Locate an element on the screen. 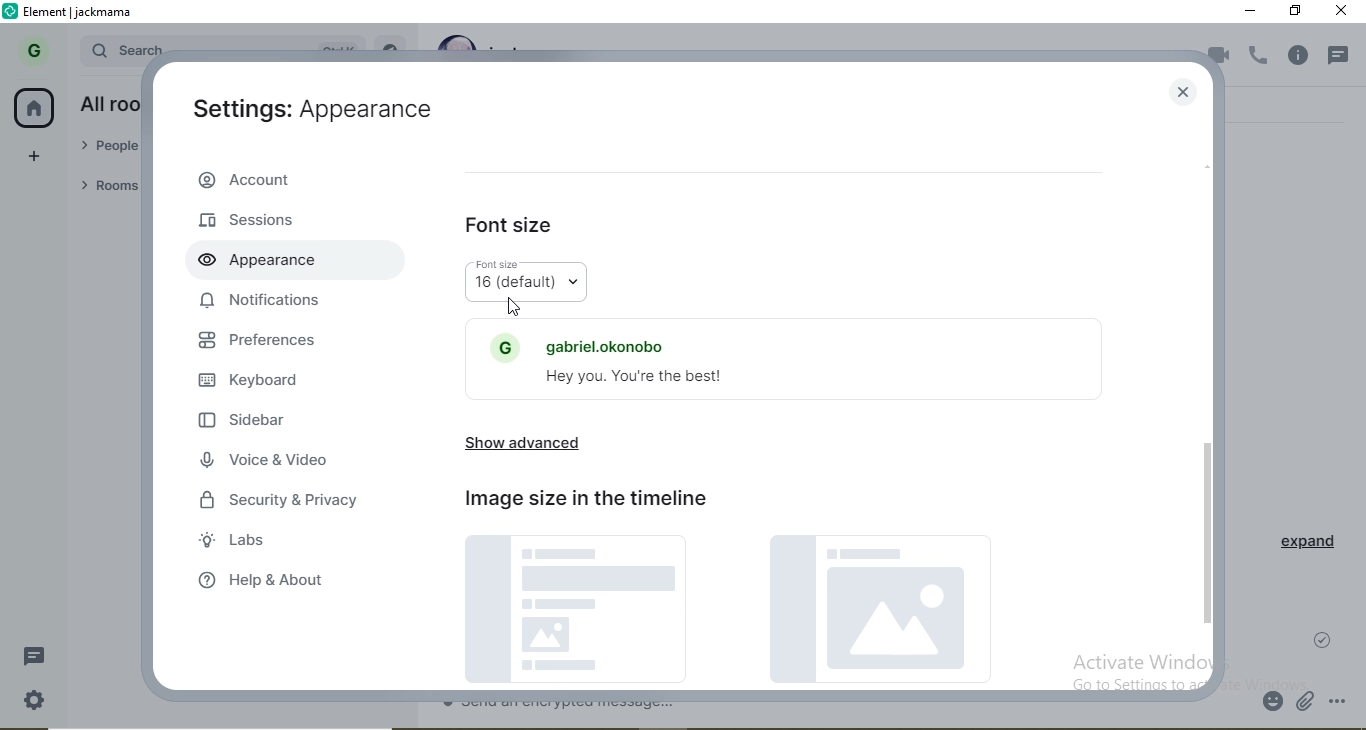  picture is located at coordinates (736, 613).